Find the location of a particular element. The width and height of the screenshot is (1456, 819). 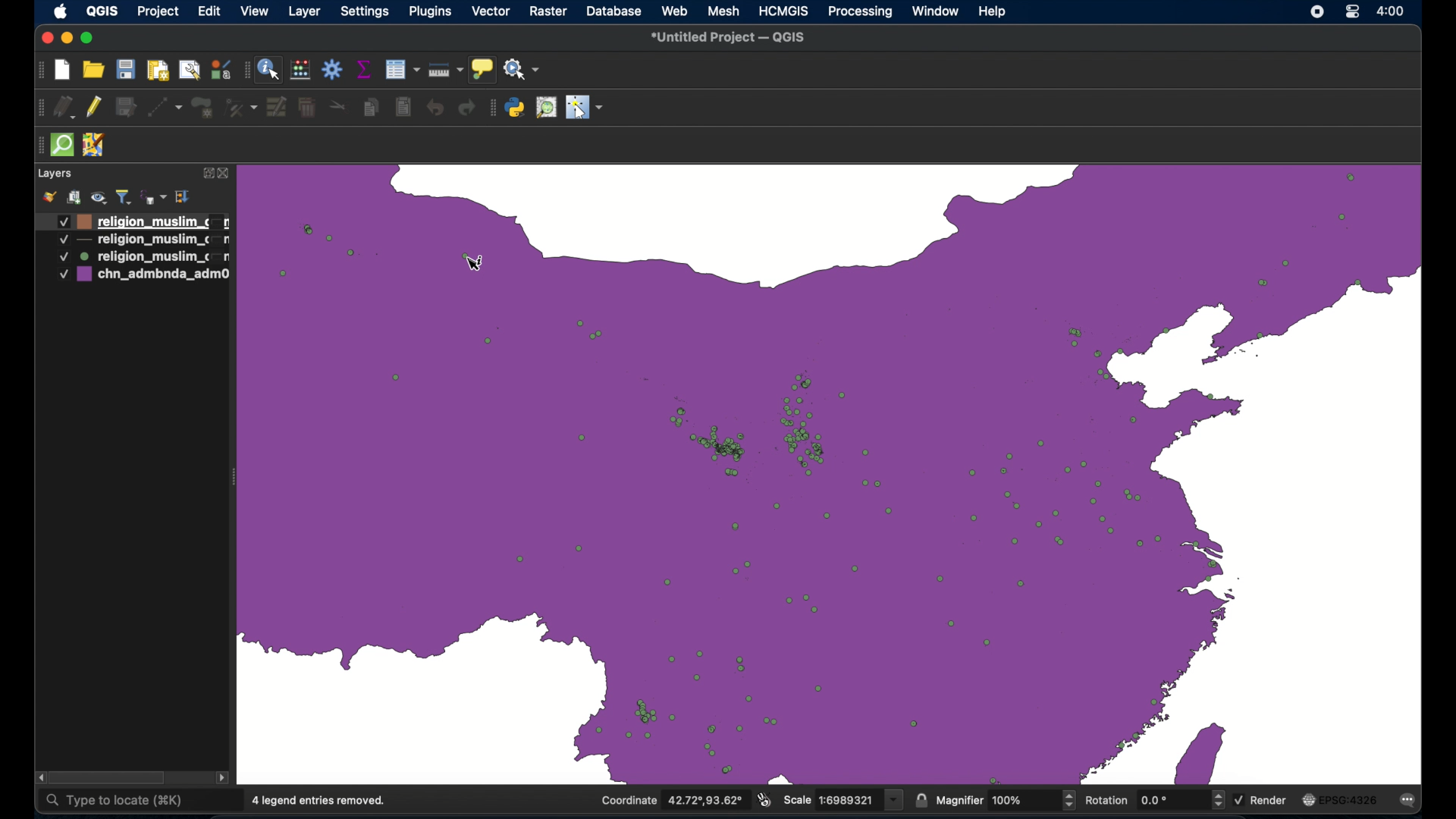

minimize is located at coordinates (66, 38).